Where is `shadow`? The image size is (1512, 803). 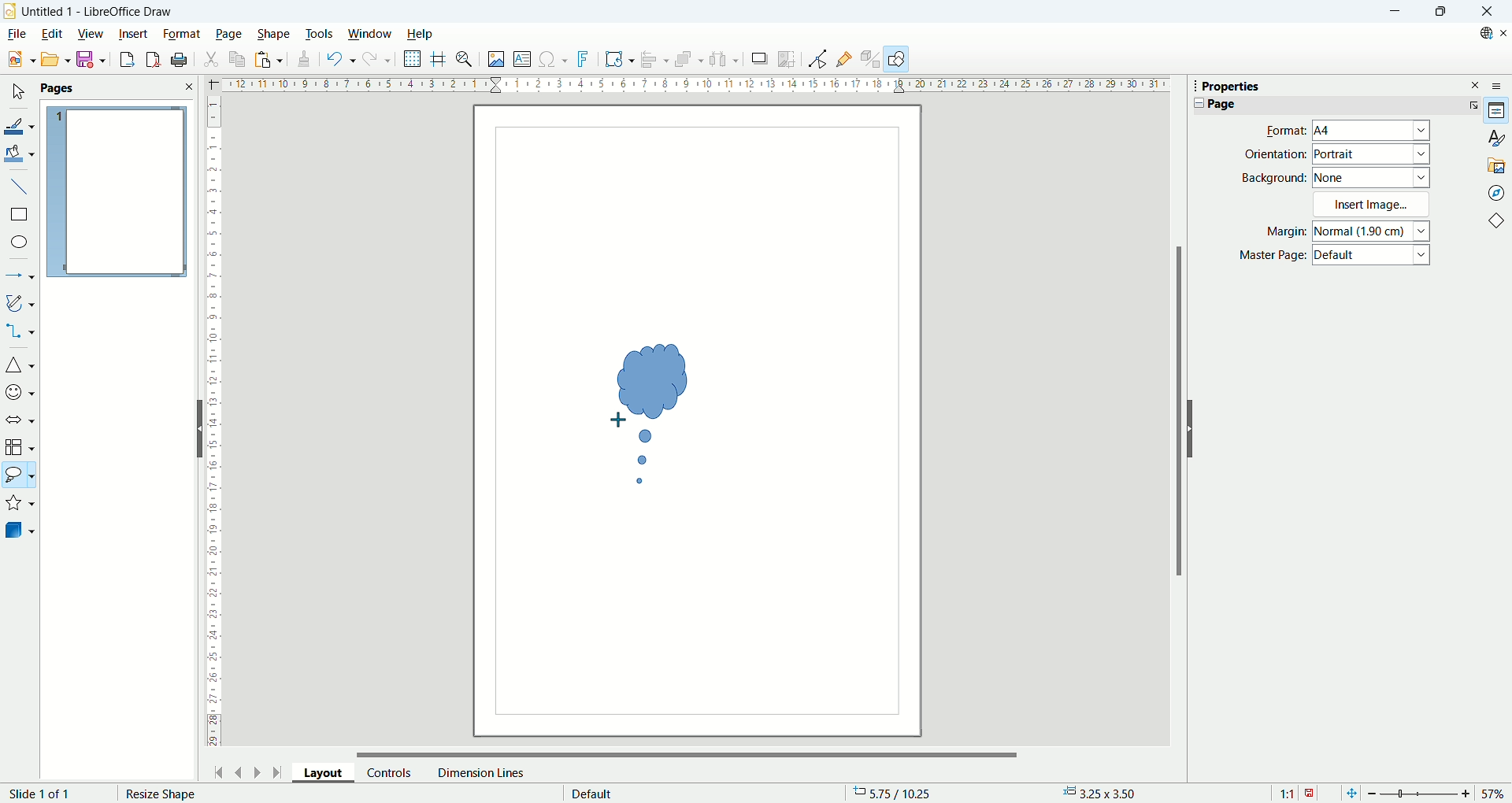 shadow is located at coordinates (759, 59).